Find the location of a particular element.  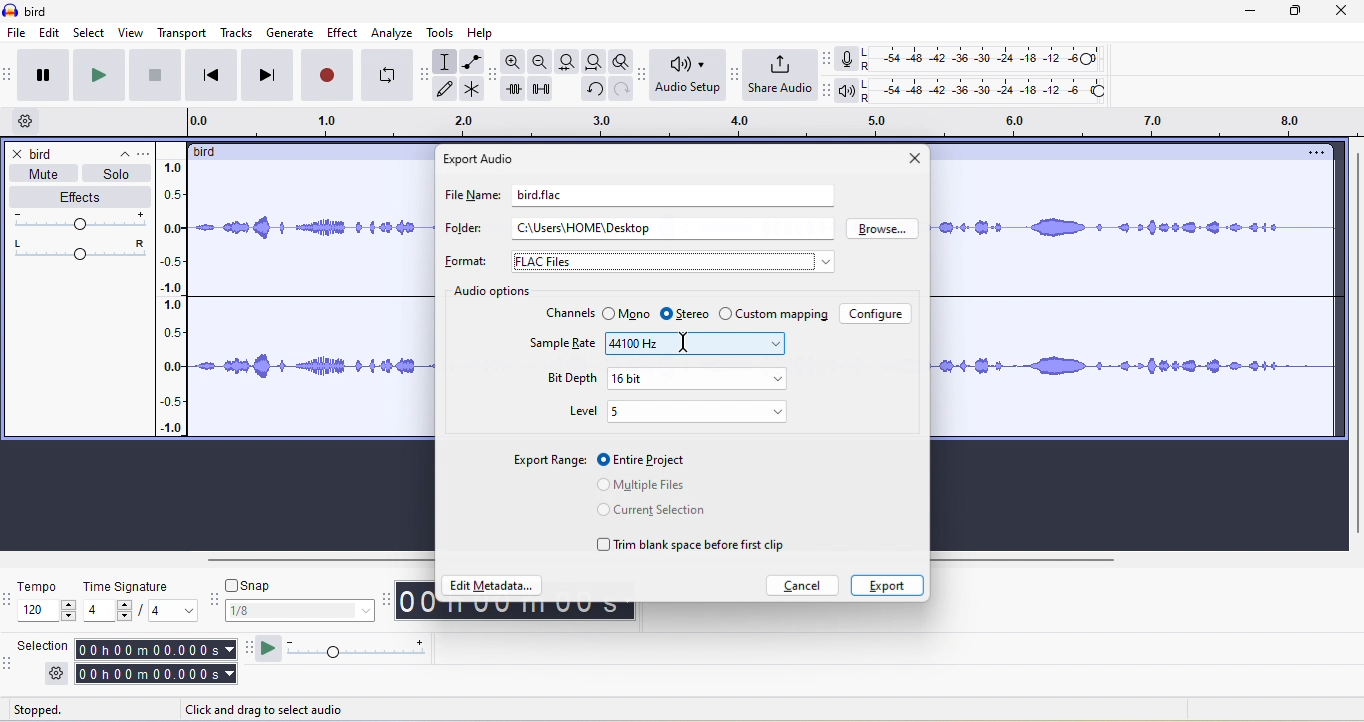

close is located at coordinates (913, 160).